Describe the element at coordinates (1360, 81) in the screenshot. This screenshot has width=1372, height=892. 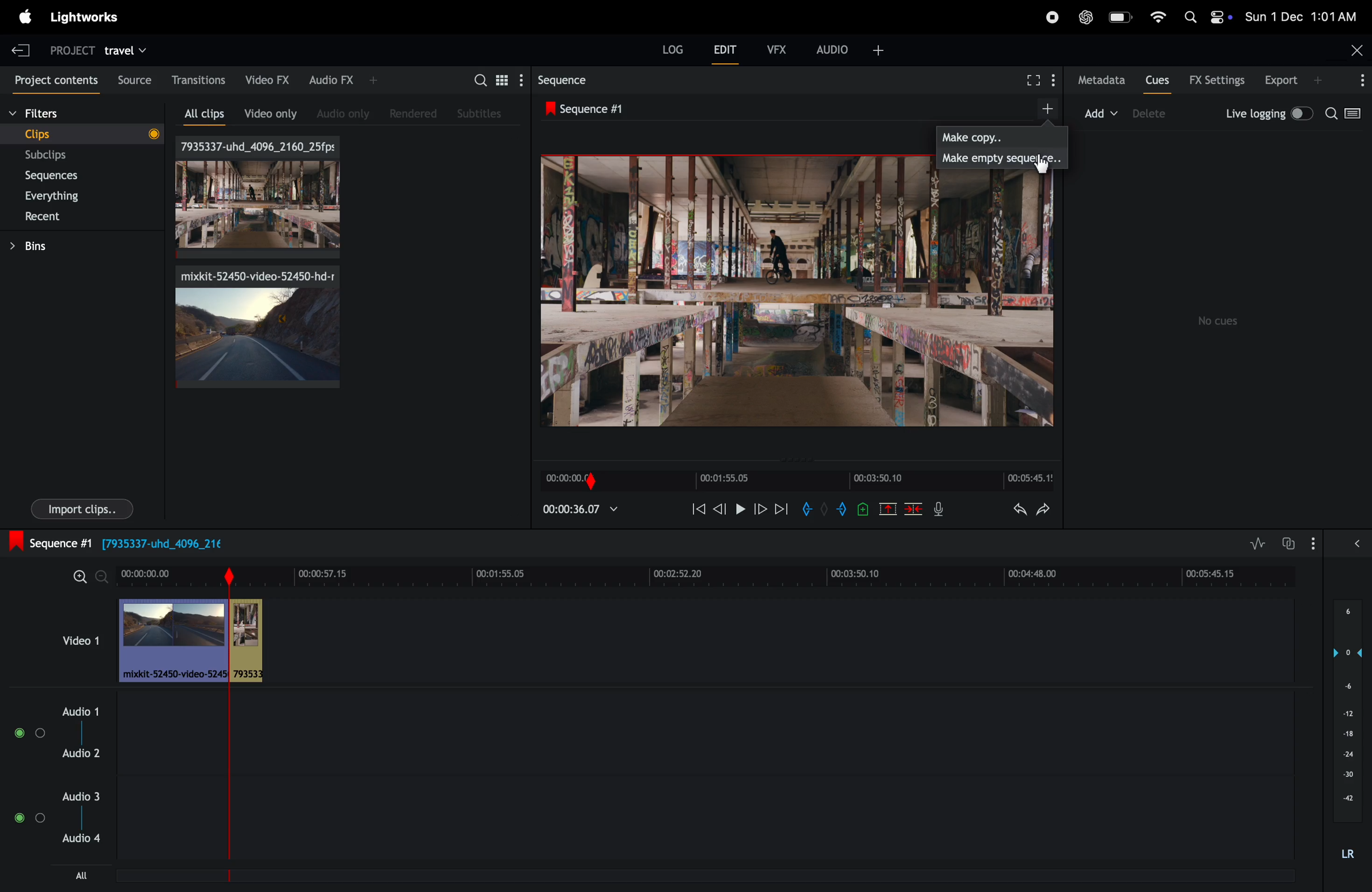
I see `options` at that location.